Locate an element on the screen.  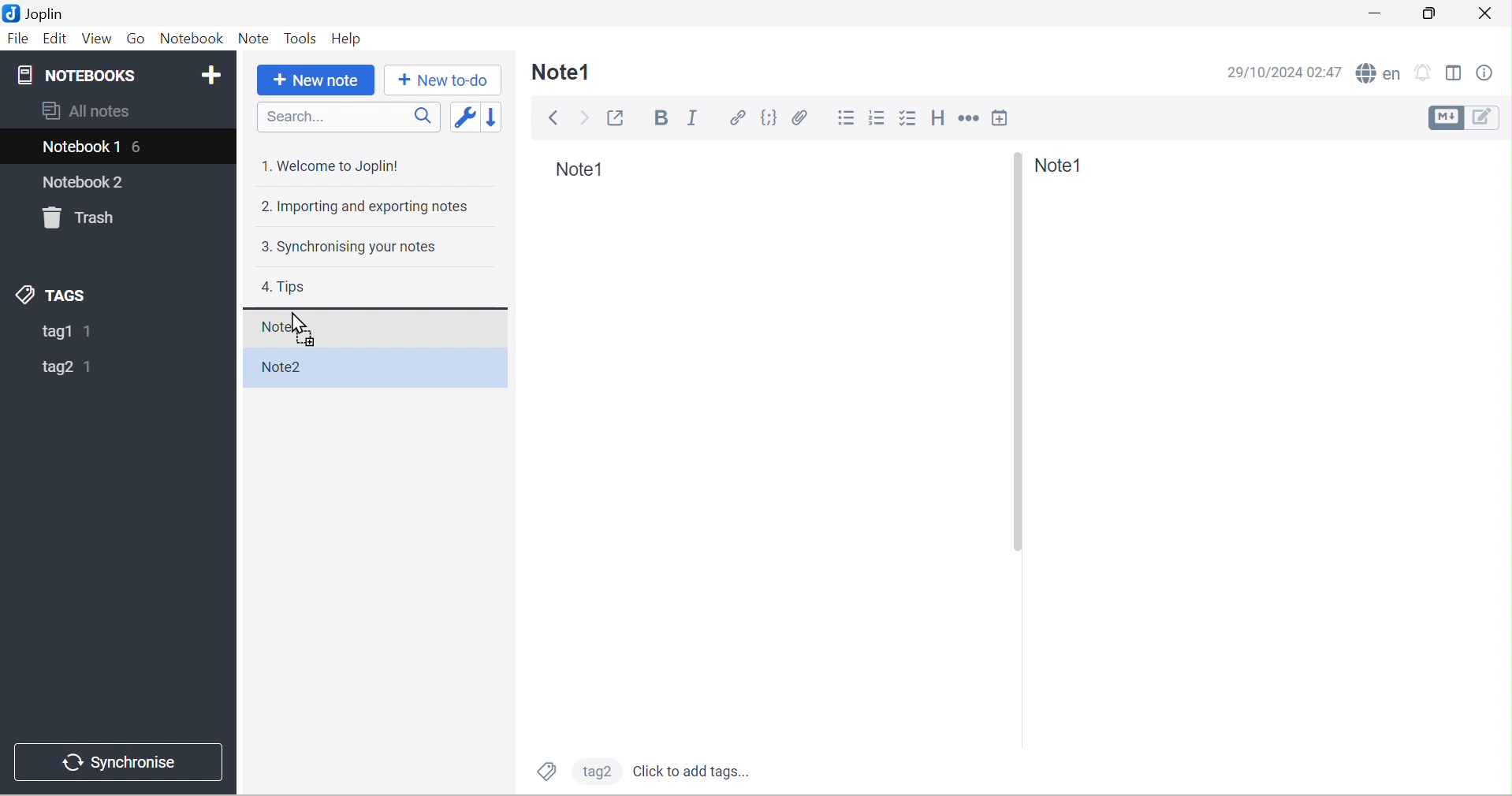
Reverse sort order is located at coordinates (492, 117).